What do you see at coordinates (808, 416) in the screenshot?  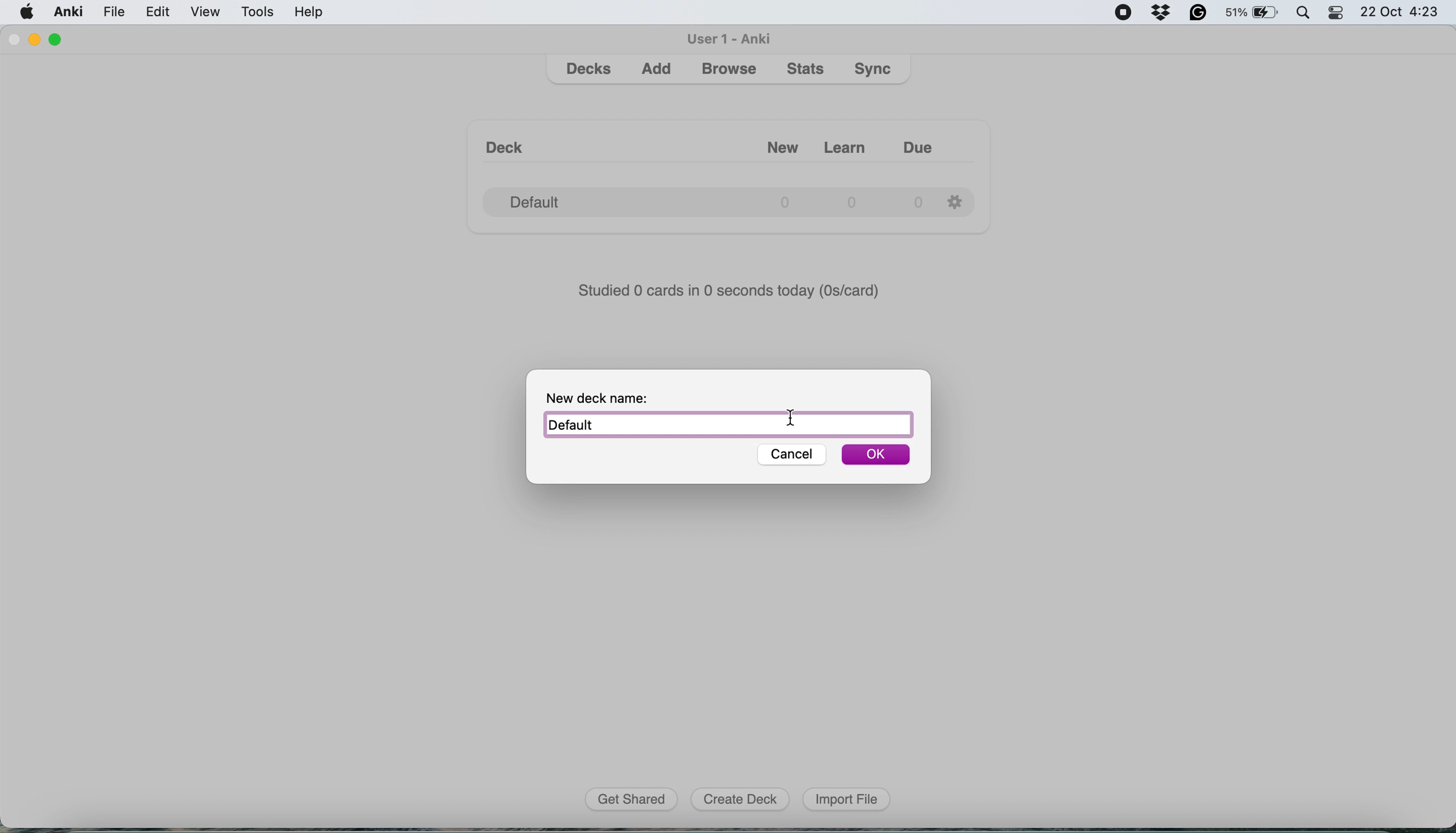 I see `cursor` at bounding box center [808, 416].